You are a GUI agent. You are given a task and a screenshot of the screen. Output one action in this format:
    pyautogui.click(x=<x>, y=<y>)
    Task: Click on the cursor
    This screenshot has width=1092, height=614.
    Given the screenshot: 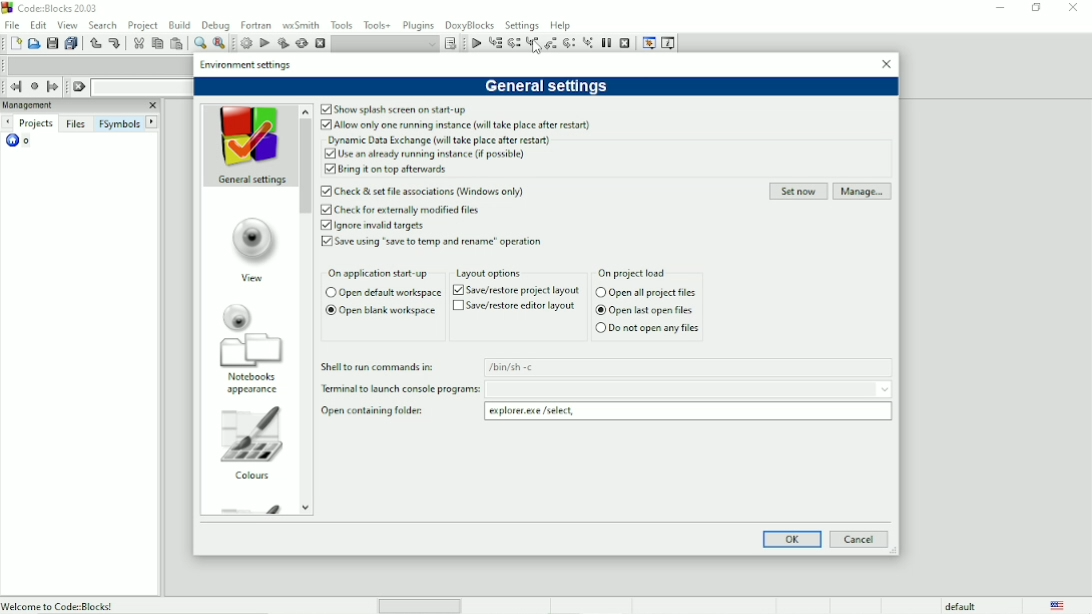 What is the action you would take?
    pyautogui.click(x=538, y=47)
    